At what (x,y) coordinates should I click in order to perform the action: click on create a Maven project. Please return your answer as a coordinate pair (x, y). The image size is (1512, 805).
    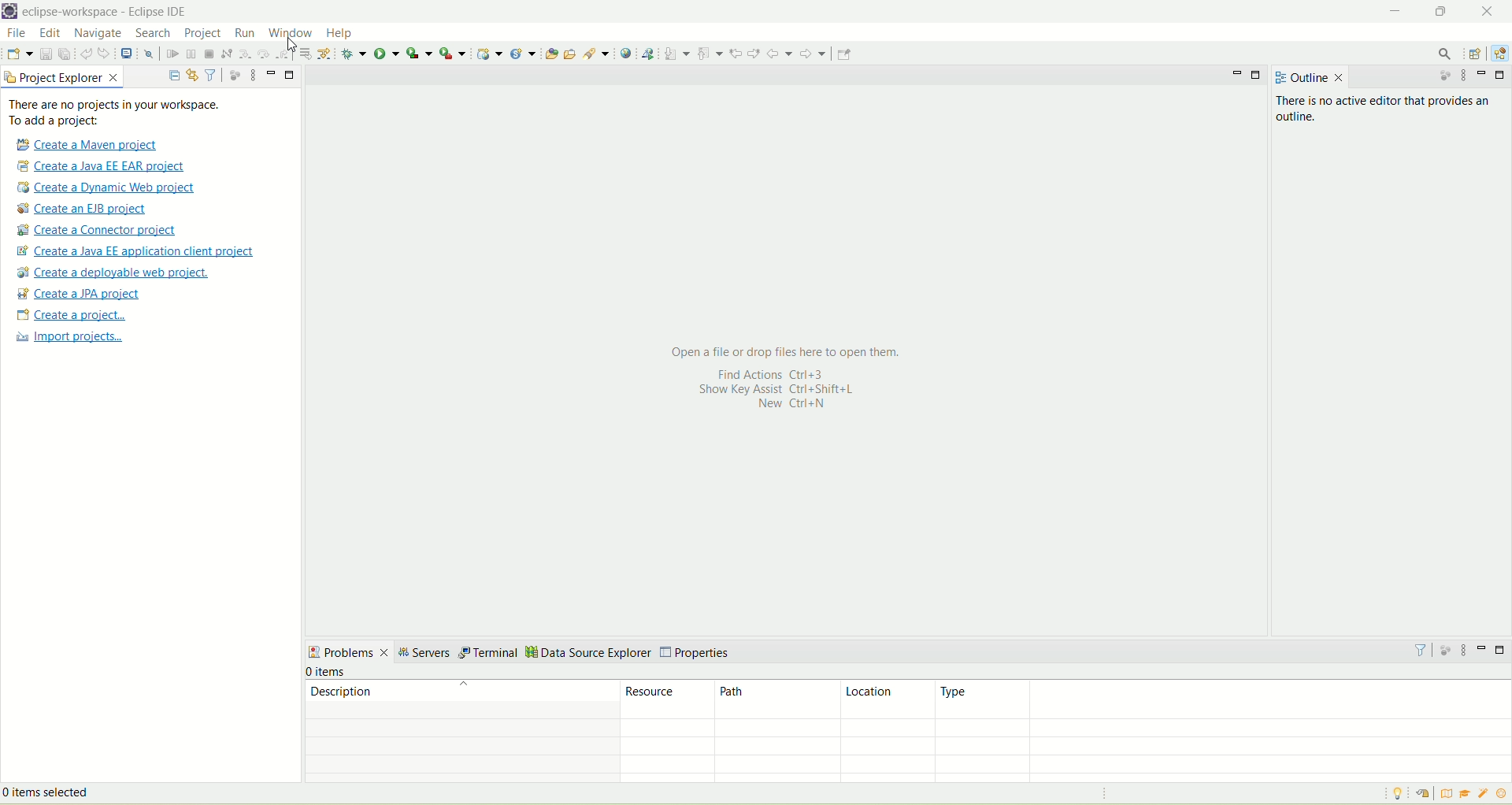
    Looking at the image, I should click on (91, 143).